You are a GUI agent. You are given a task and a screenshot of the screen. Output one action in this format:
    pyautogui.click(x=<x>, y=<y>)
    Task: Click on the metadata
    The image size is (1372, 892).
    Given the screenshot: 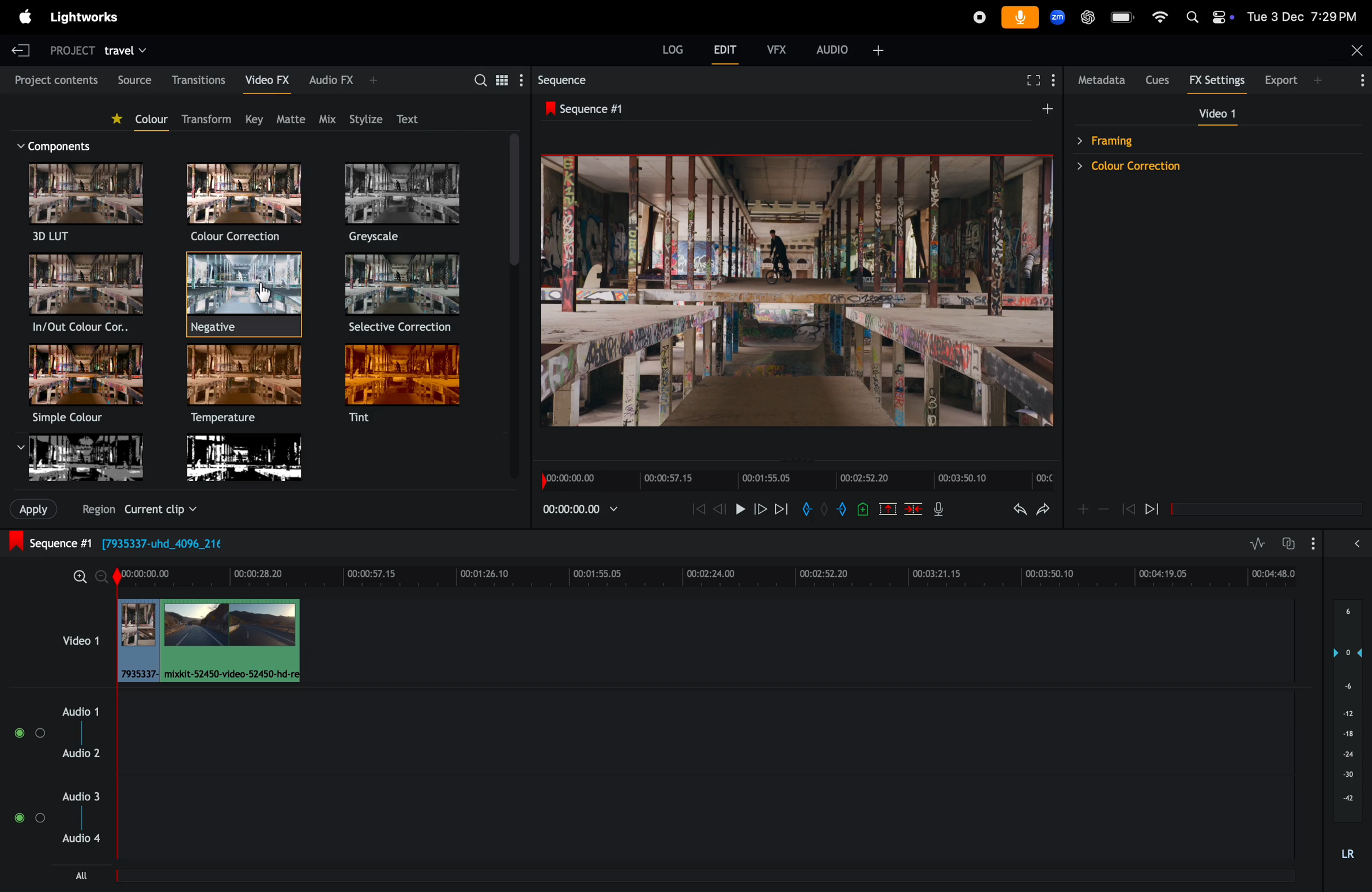 What is the action you would take?
    pyautogui.click(x=1103, y=80)
    